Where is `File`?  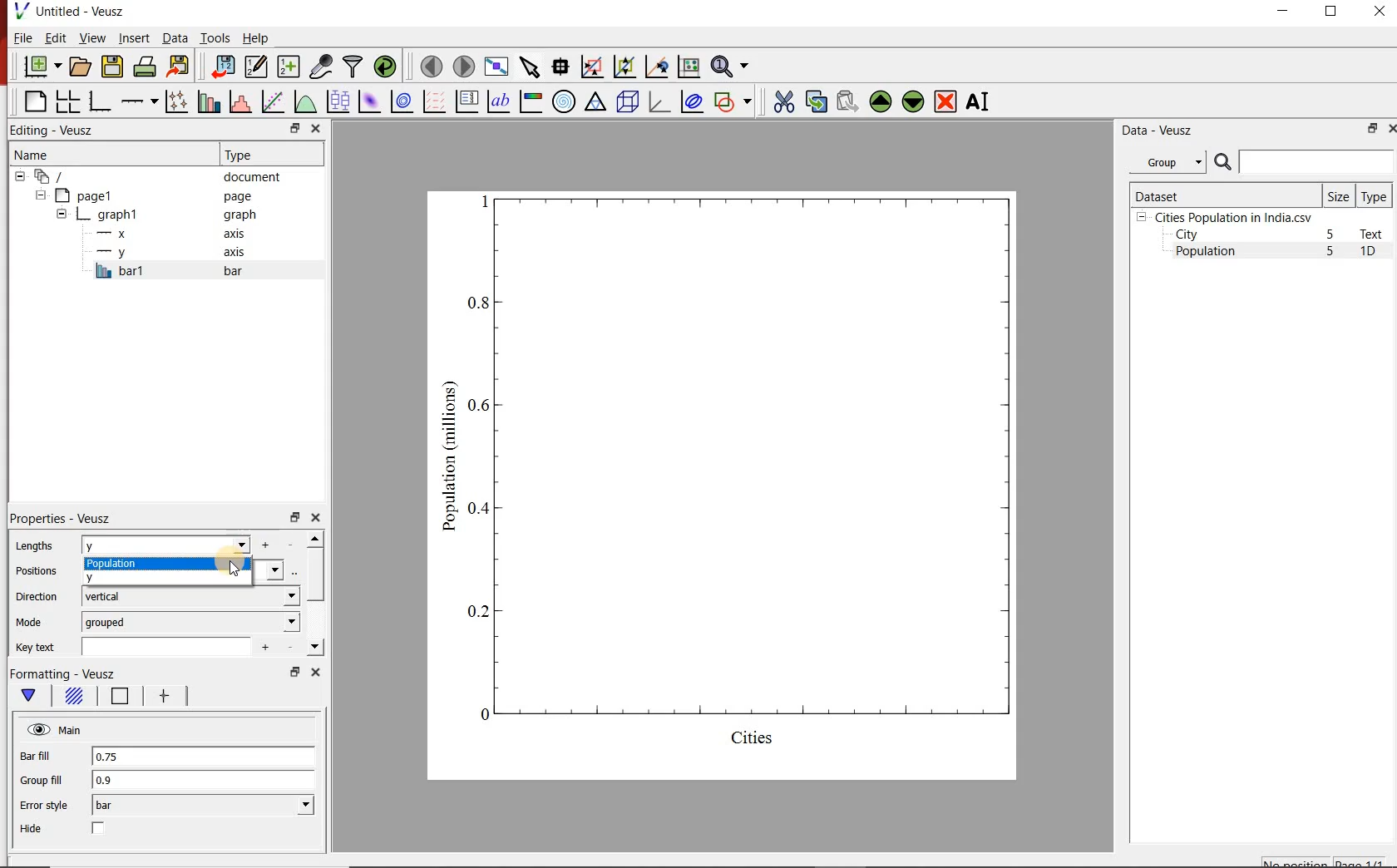 File is located at coordinates (23, 37).